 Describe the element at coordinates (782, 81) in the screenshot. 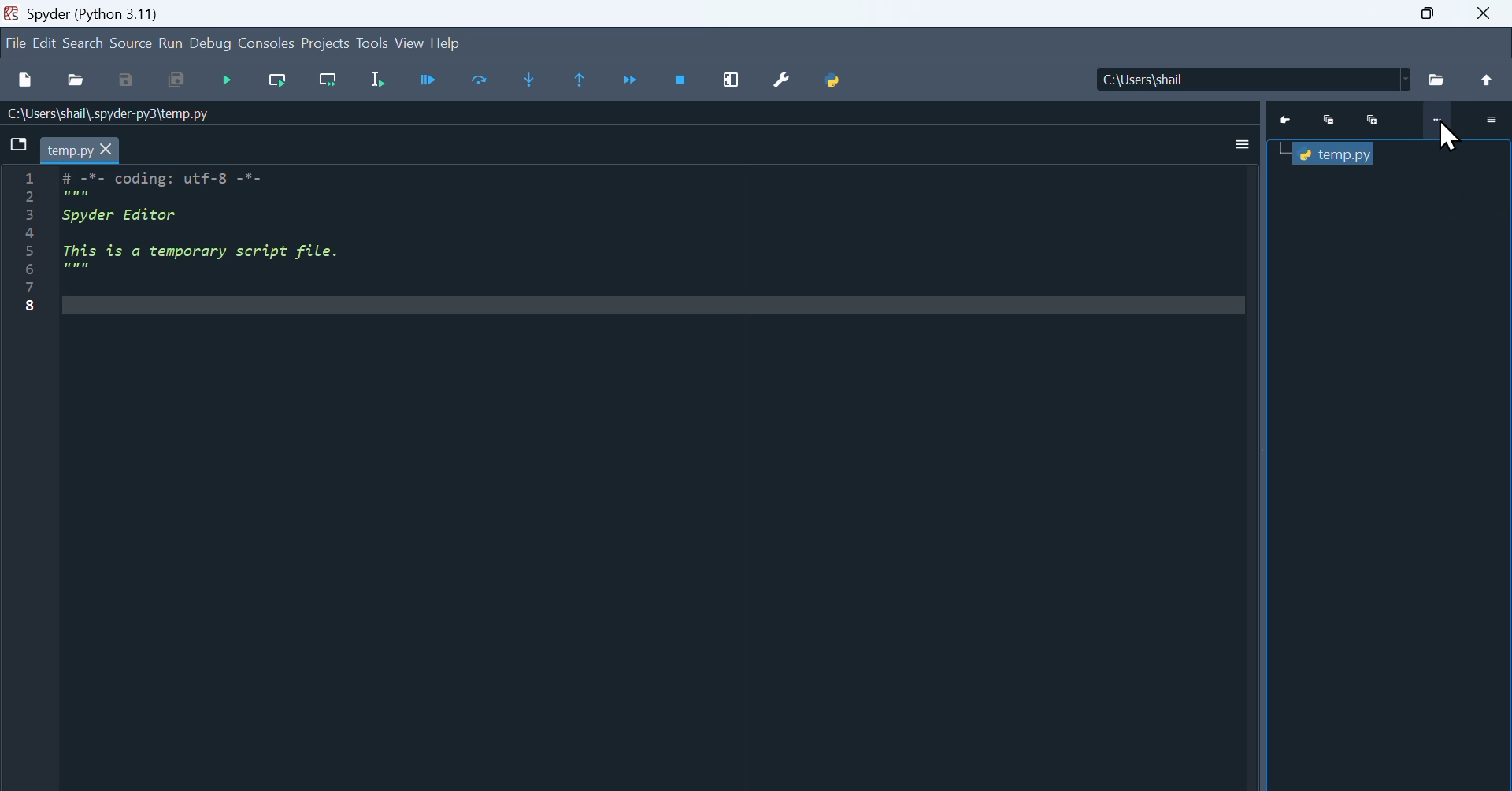

I see `Preferences` at that location.